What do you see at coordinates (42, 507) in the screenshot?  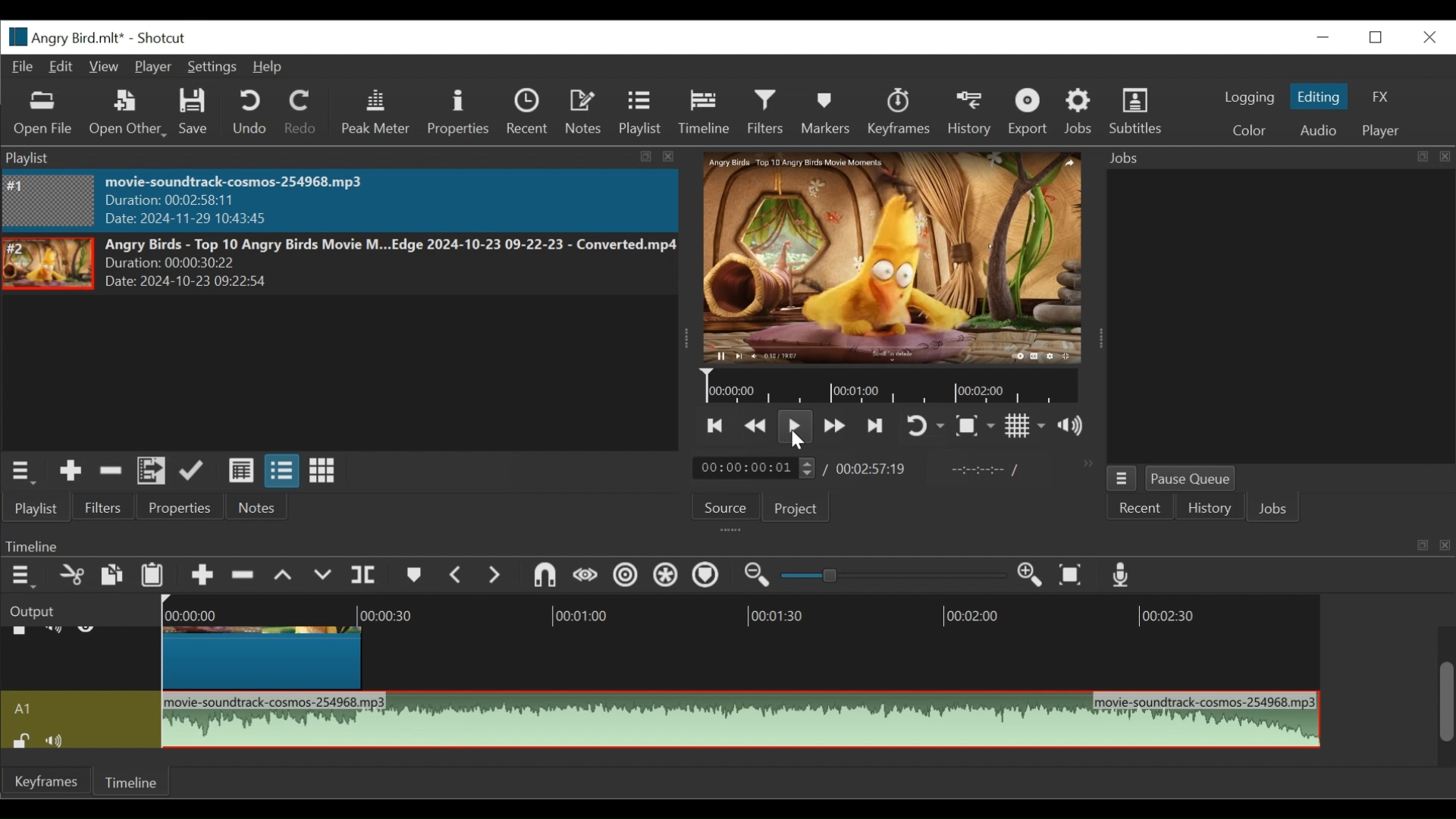 I see `Playlist` at bounding box center [42, 507].